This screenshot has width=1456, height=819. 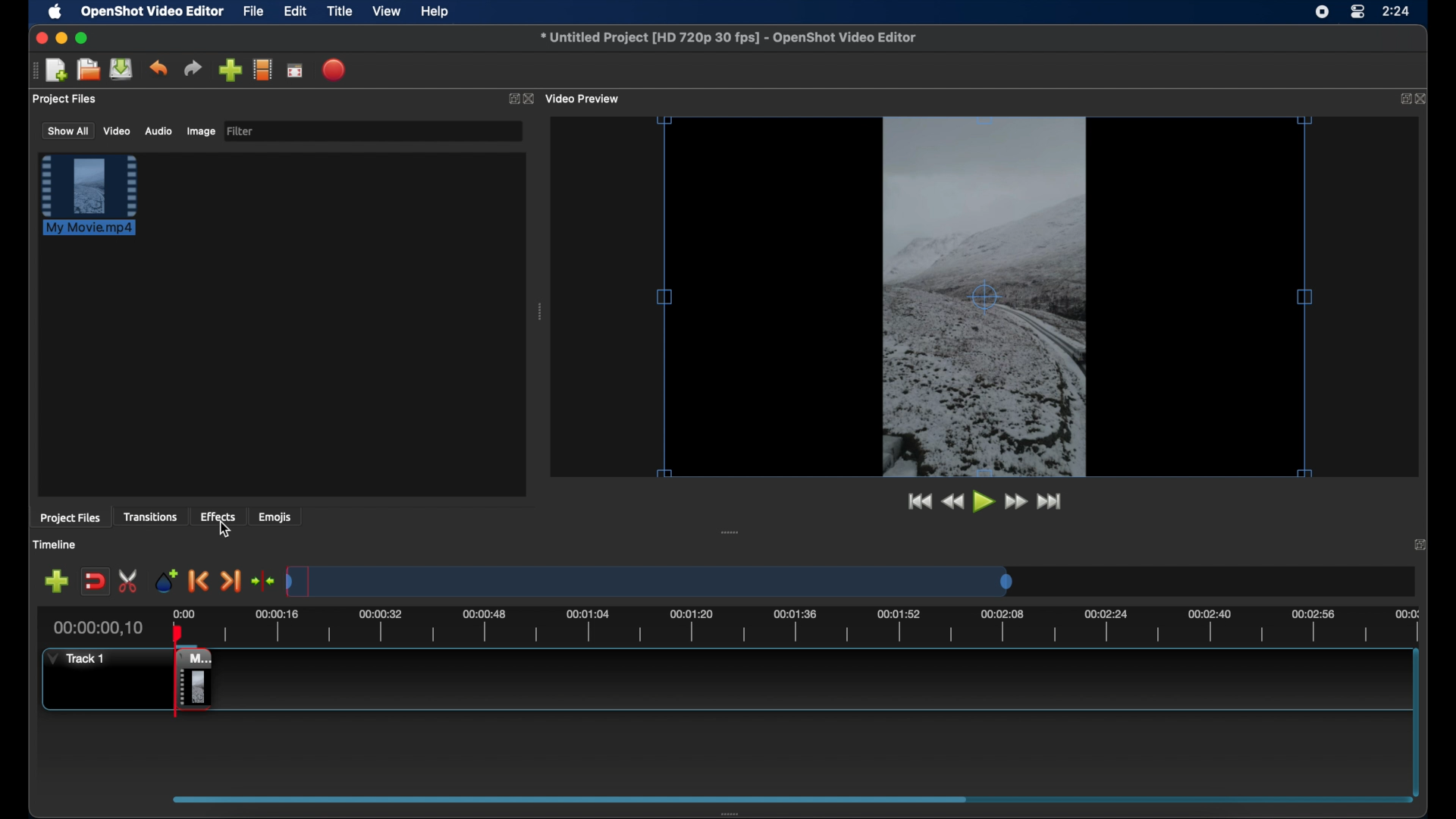 I want to click on help, so click(x=437, y=11).